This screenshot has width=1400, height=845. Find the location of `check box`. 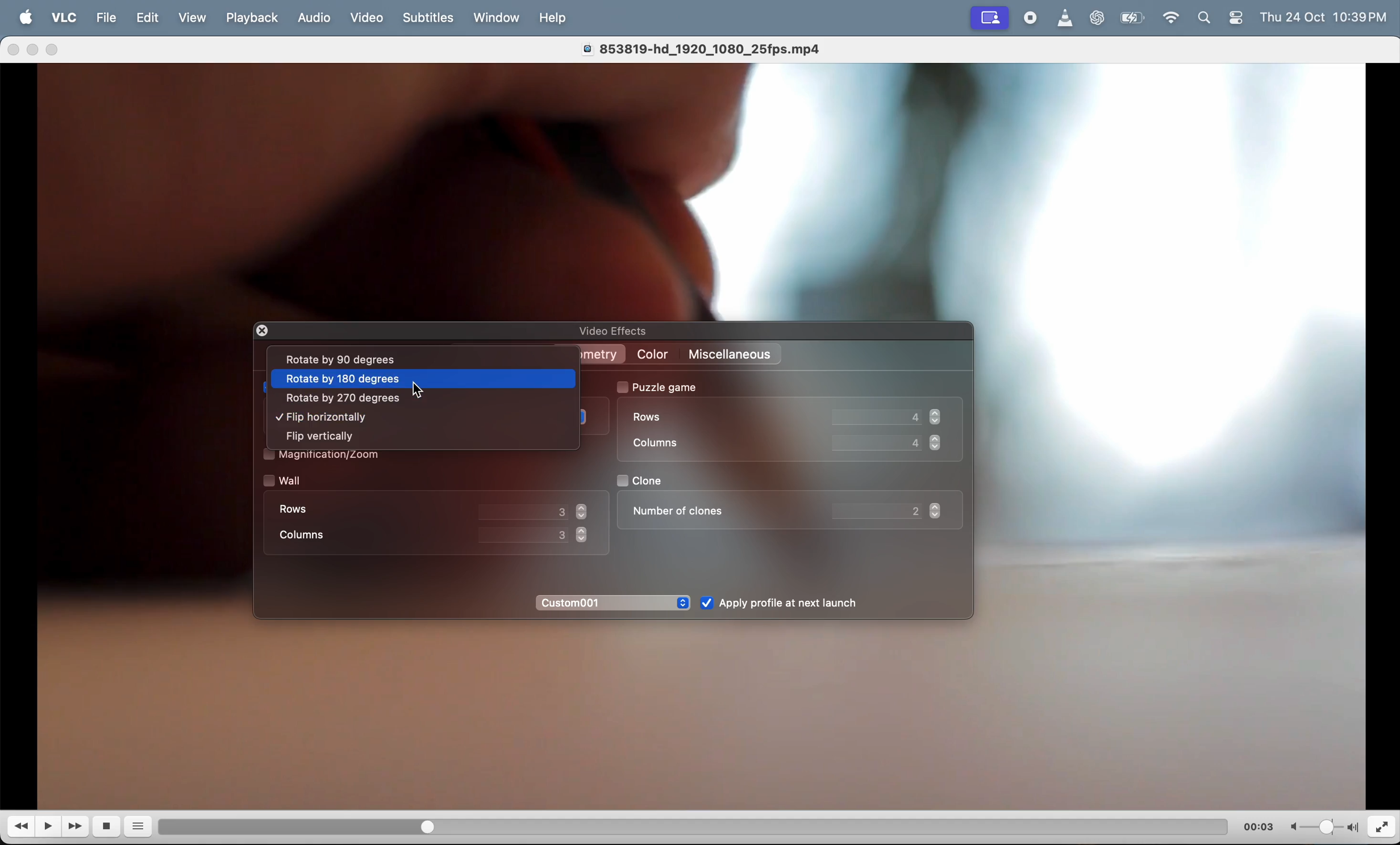

check box is located at coordinates (623, 386).